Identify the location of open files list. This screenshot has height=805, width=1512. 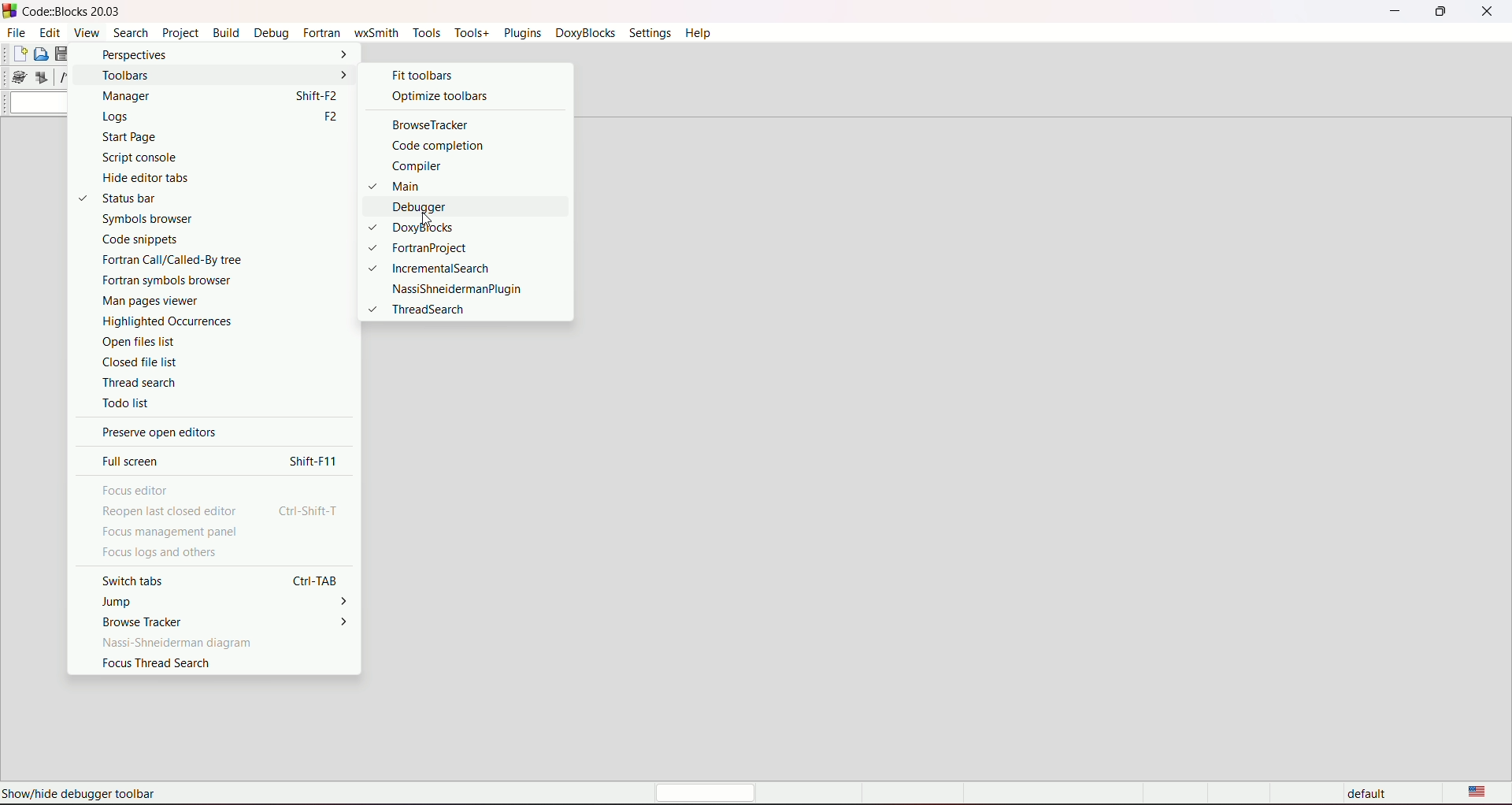
(204, 342).